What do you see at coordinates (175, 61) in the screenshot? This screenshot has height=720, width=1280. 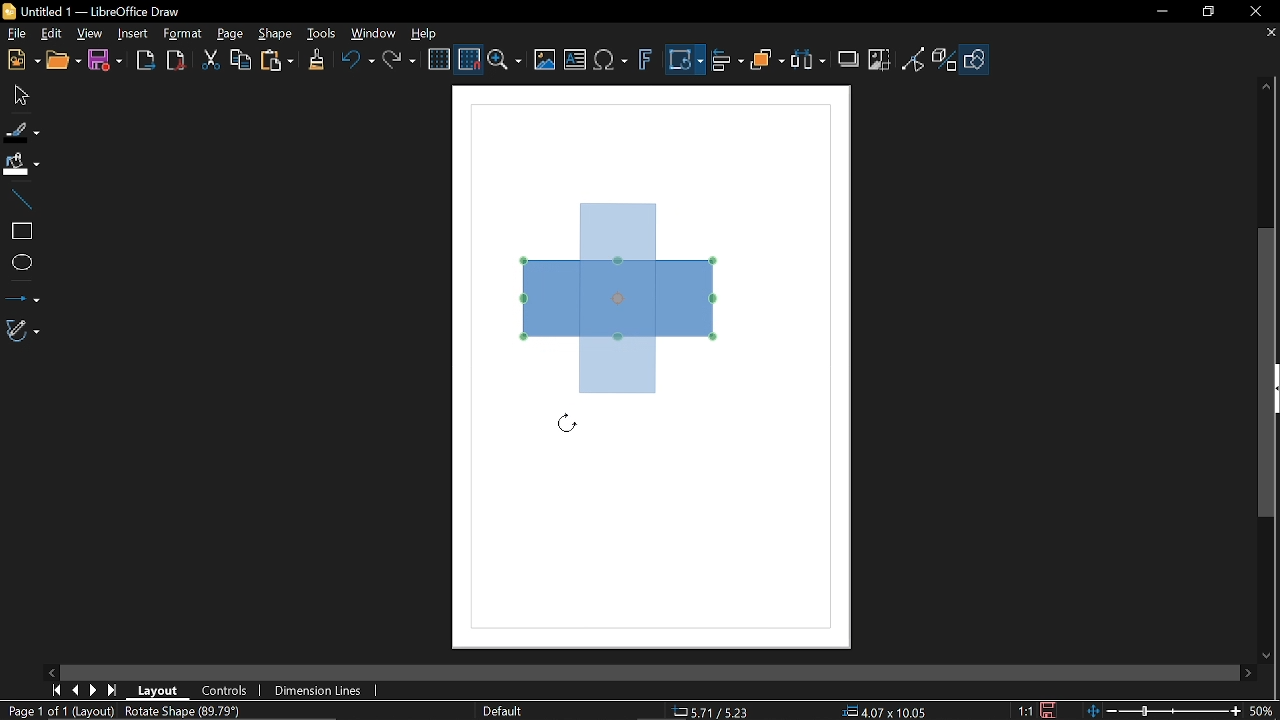 I see `Export as pdf` at bounding box center [175, 61].